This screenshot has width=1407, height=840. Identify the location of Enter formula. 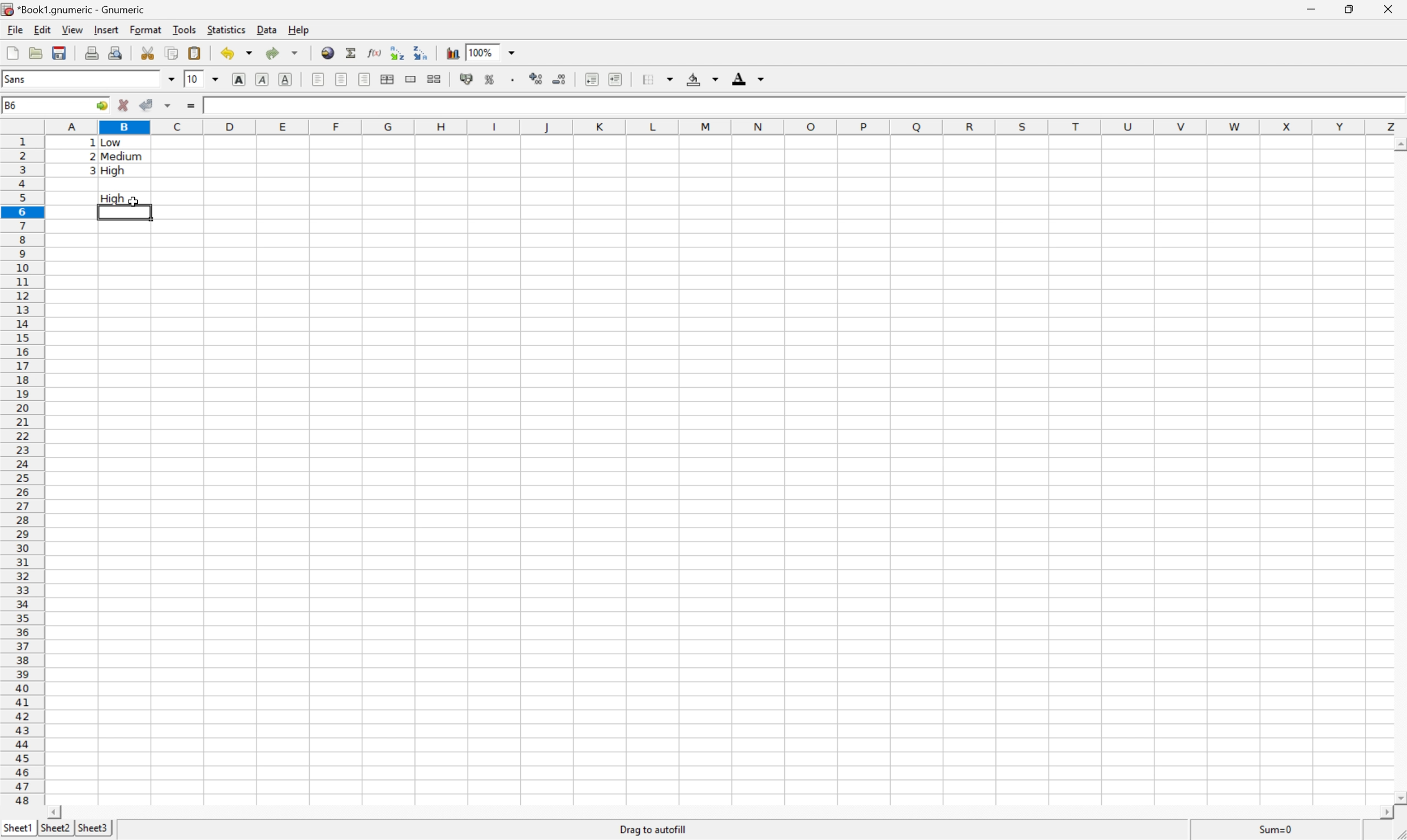
(190, 106).